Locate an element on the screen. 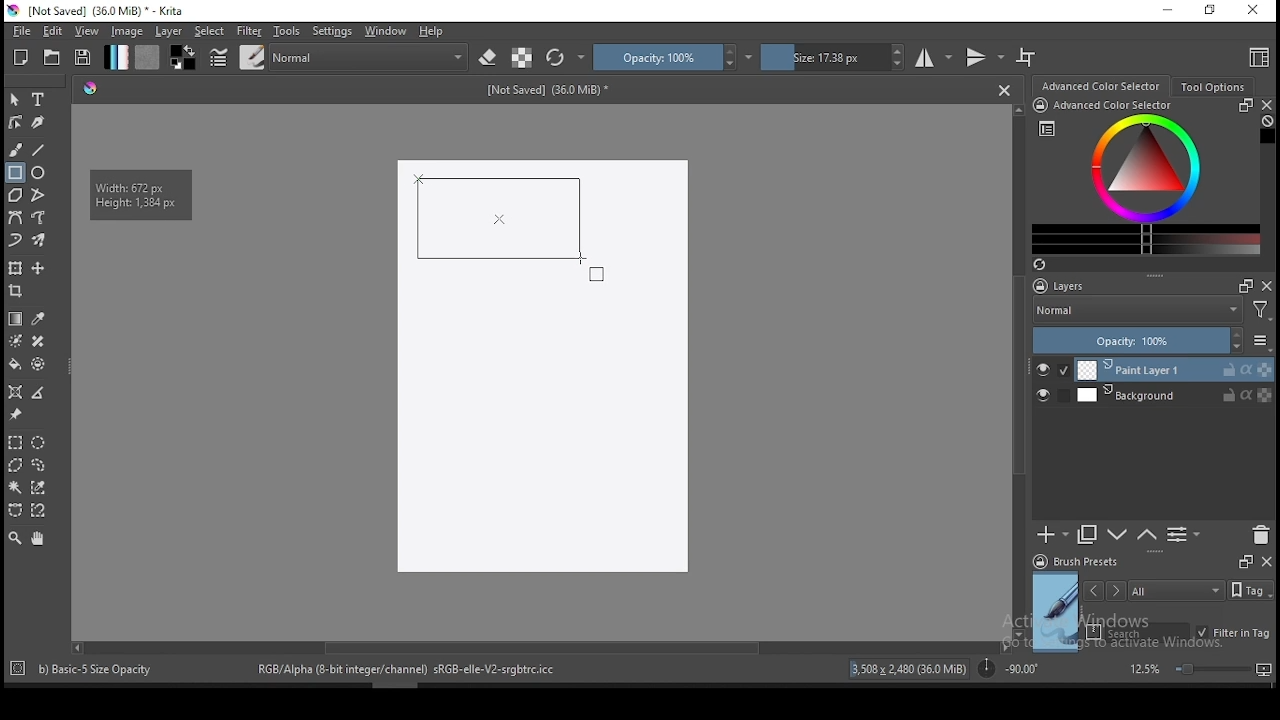 The image size is (1280, 720). image is located at coordinates (126, 31).